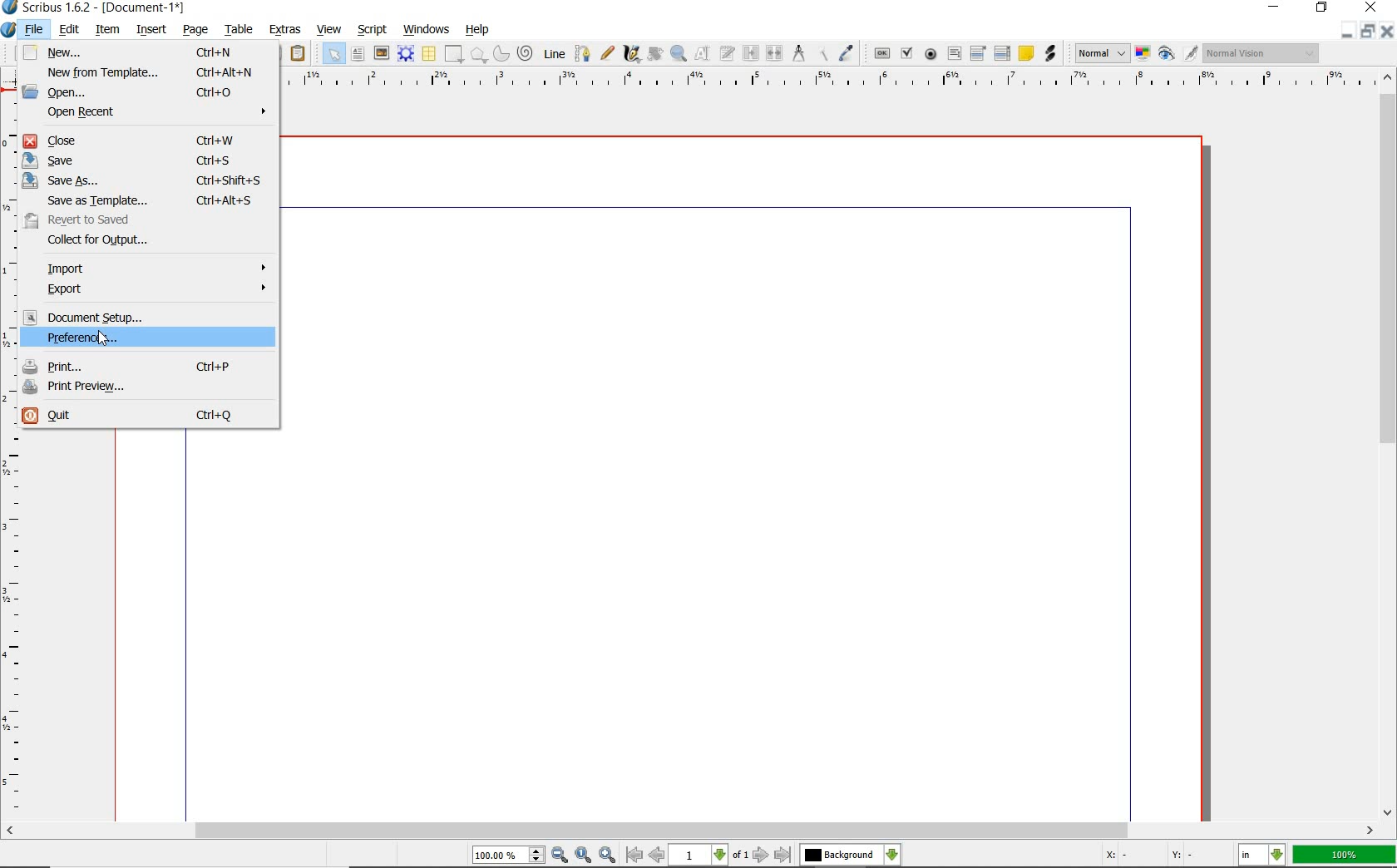 The width and height of the screenshot is (1397, 868). I want to click on OPEN, so click(145, 92).